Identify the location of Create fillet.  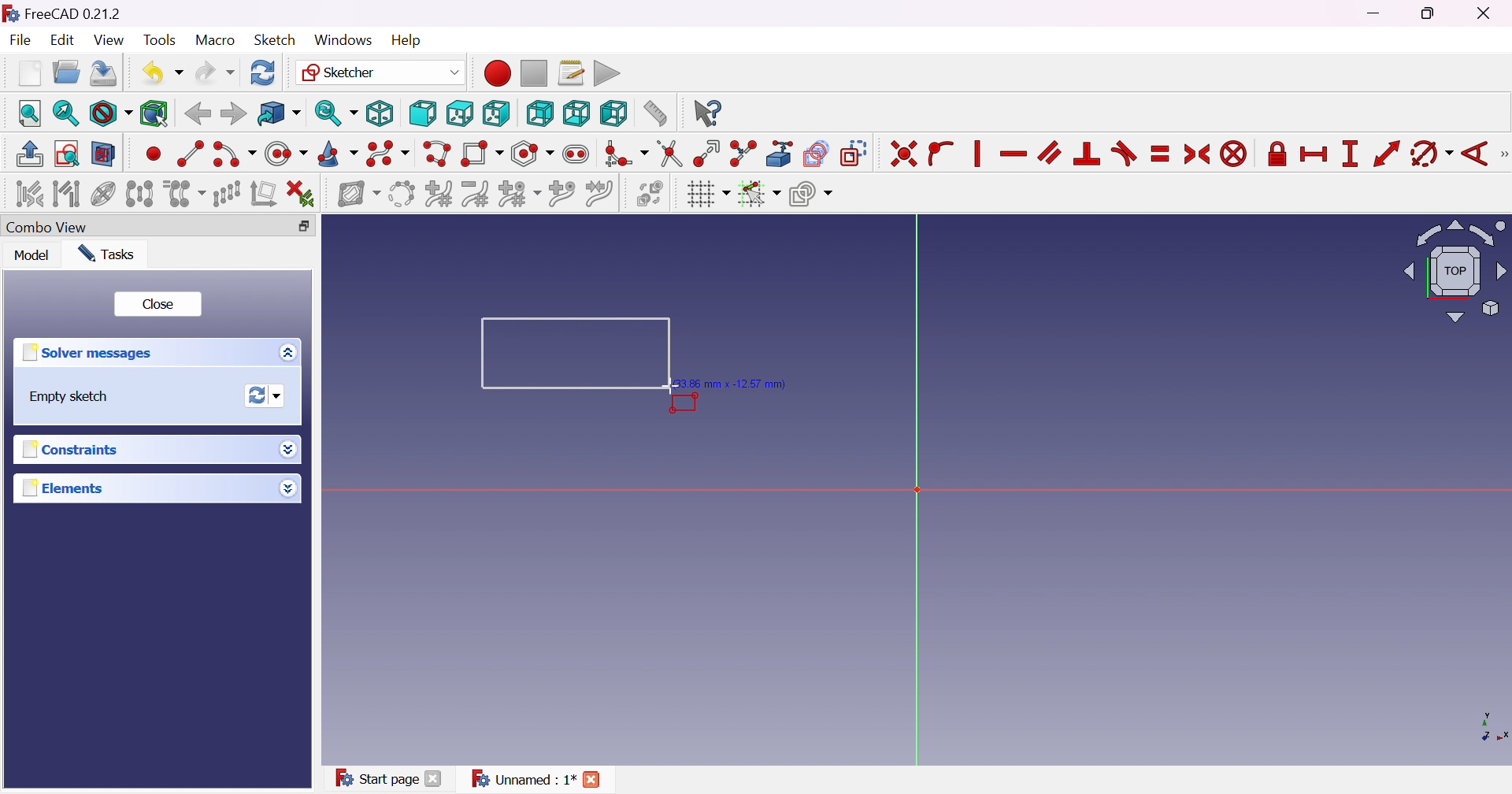
(626, 155).